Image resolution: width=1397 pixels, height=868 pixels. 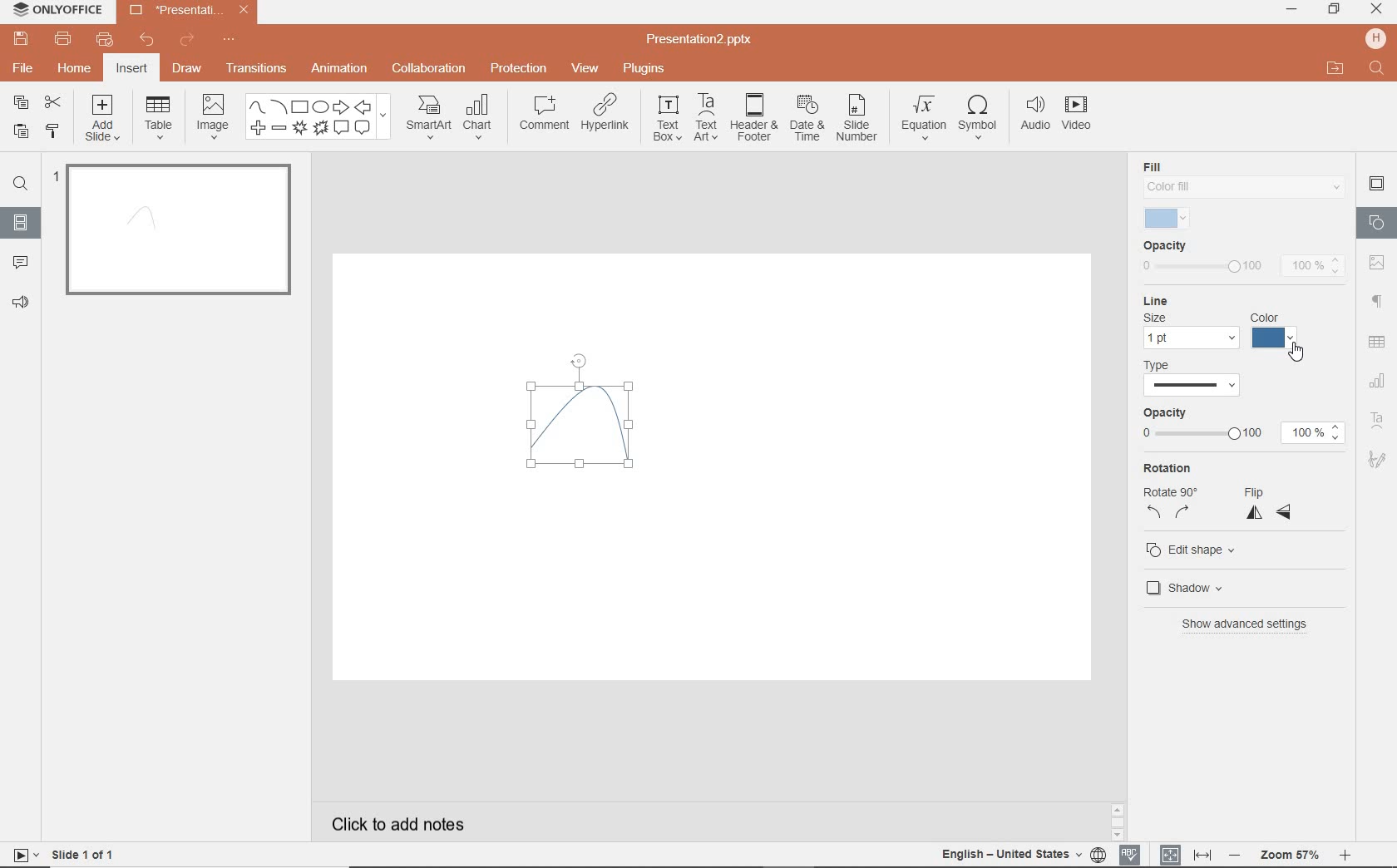 What do you see at coordinates (857, 122) in the screenshot?
I see `SLIDE NUMBER` at bounding box center [857, 122].